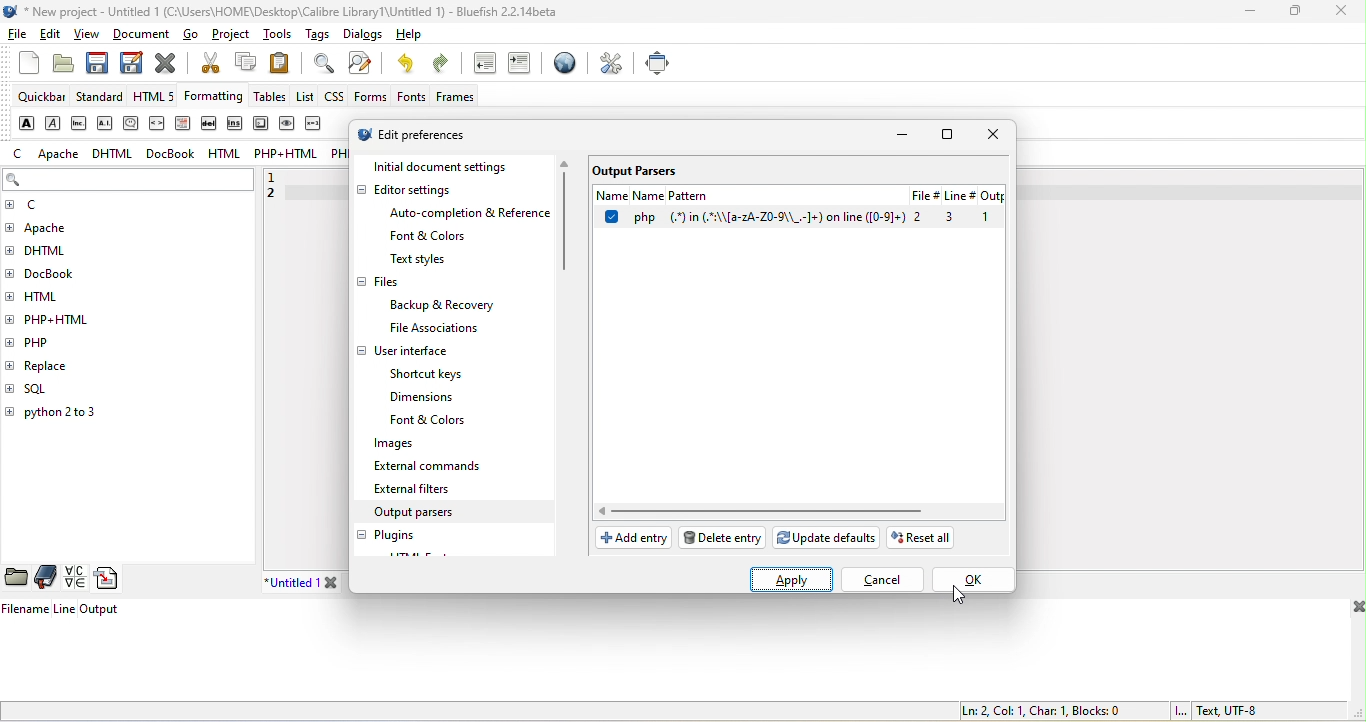  Describe the element at coordinates (233, 37) in the screenshot. I see `project` at that location.